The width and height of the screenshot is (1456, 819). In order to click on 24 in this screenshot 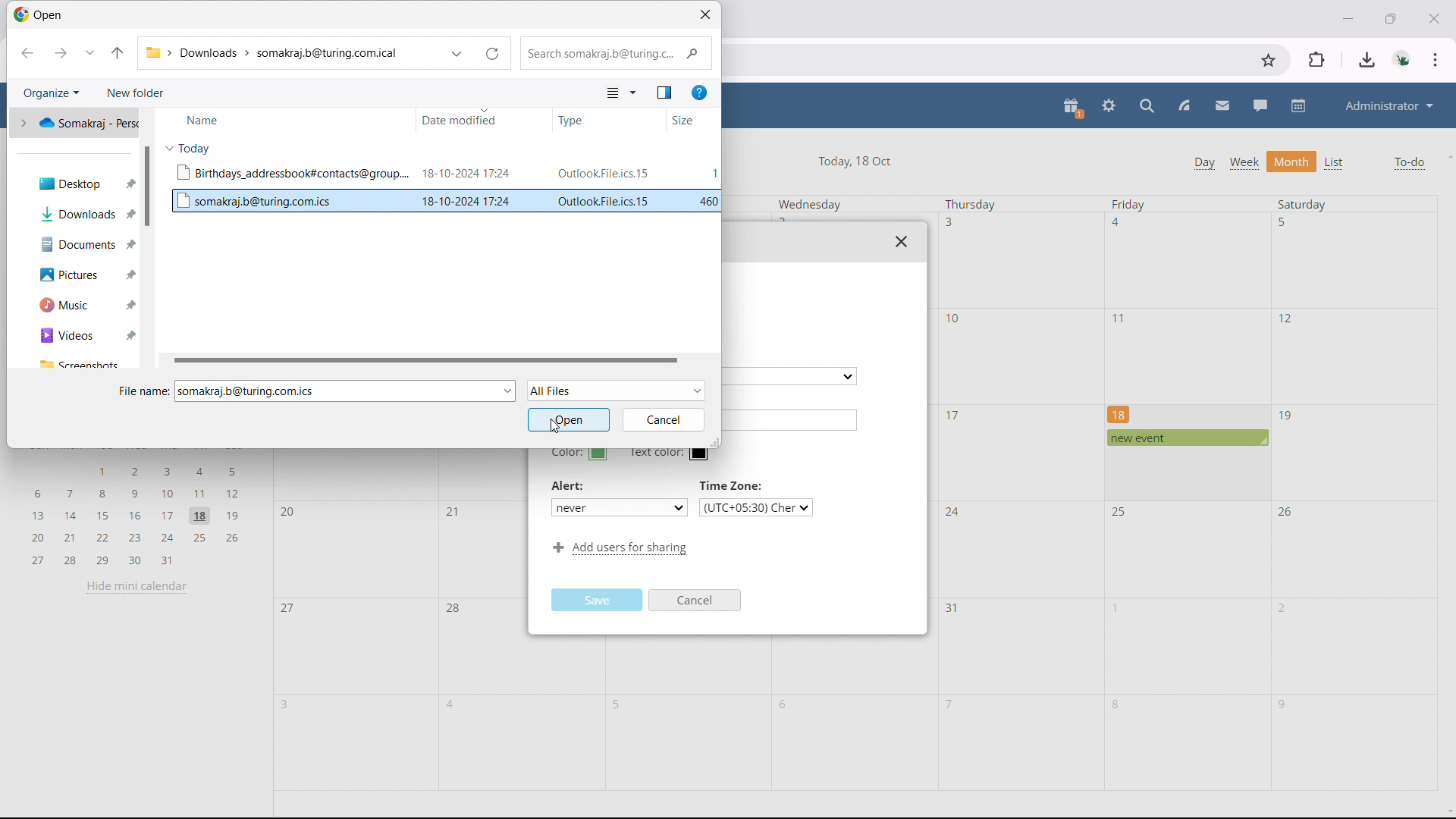, I will do `click(952, 513)`.